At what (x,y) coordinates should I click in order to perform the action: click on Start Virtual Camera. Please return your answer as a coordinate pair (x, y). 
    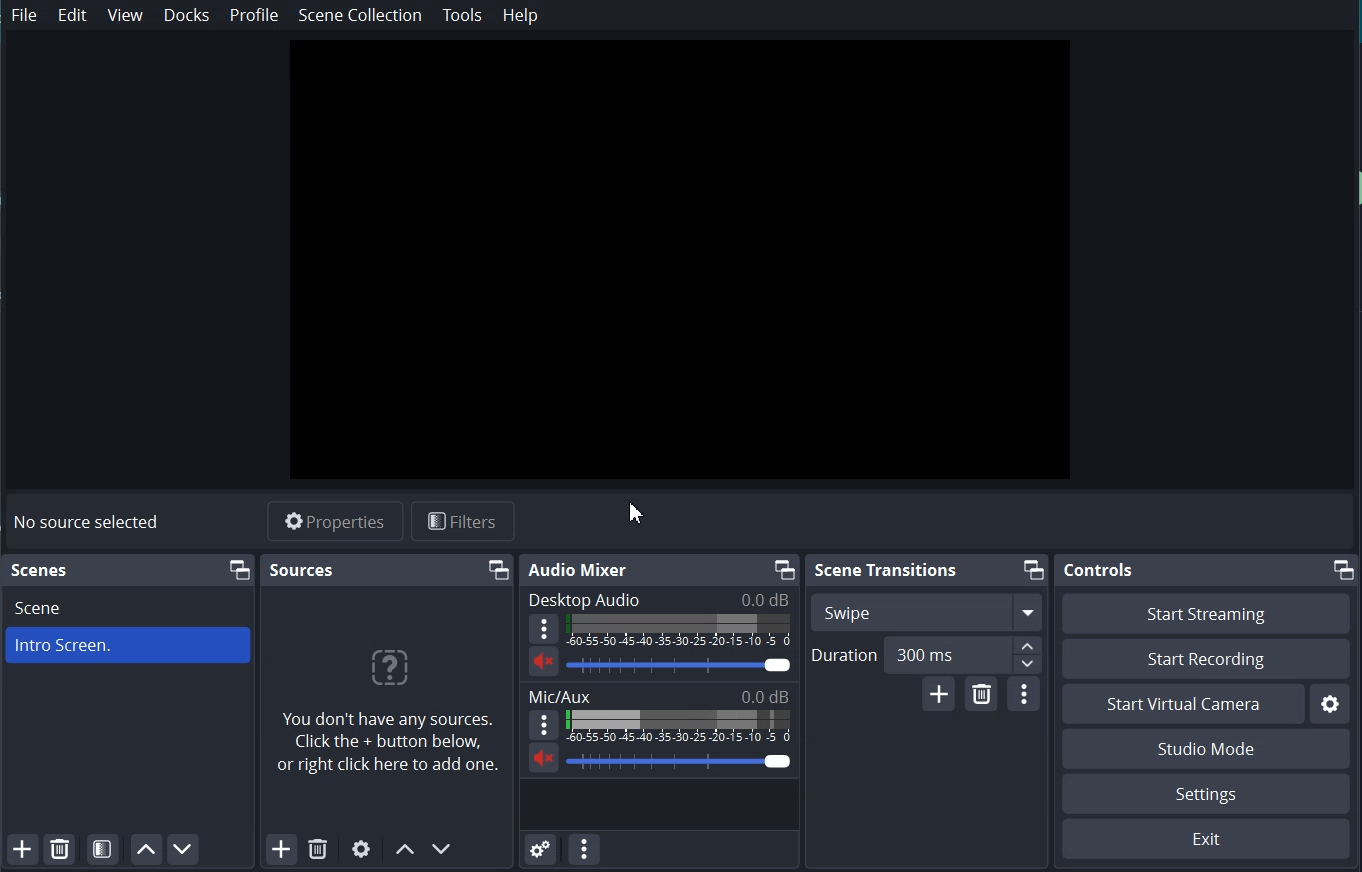
    Looking at the image, I should click on (1183, 704).